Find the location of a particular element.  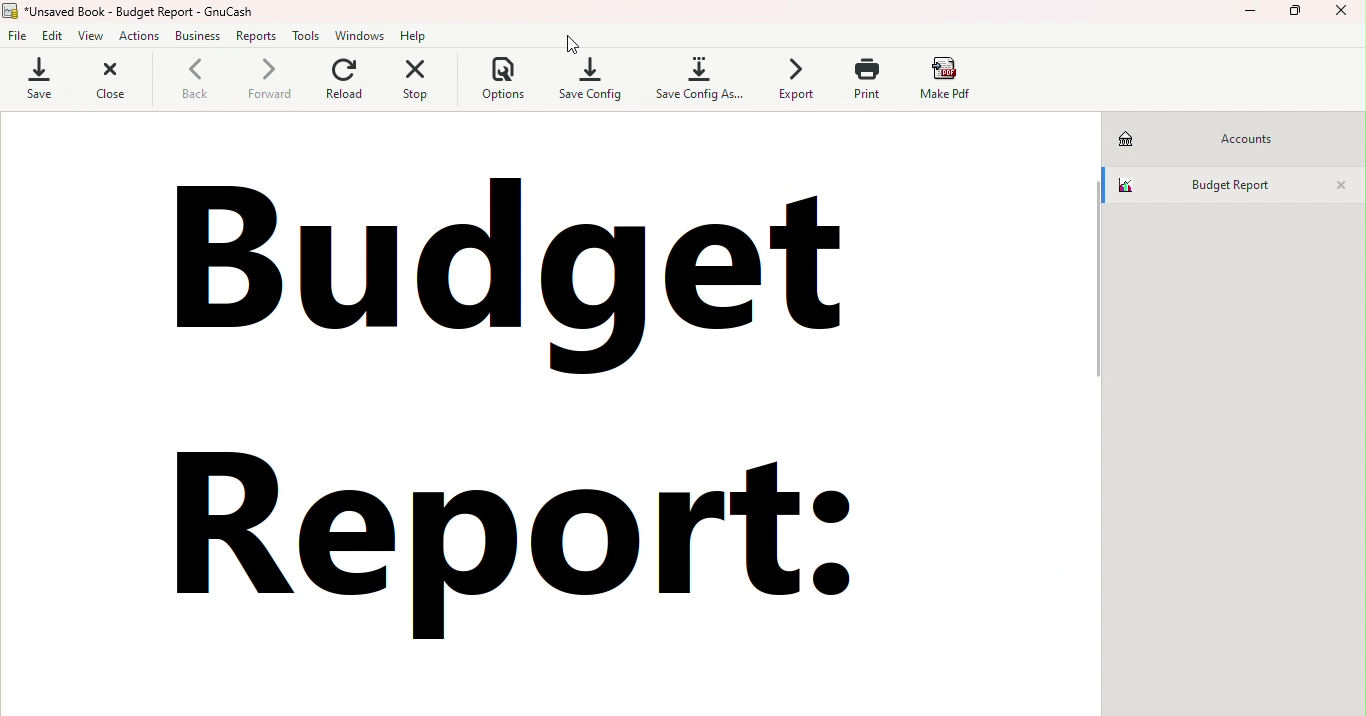

Print is located at coordinates (864, 80).